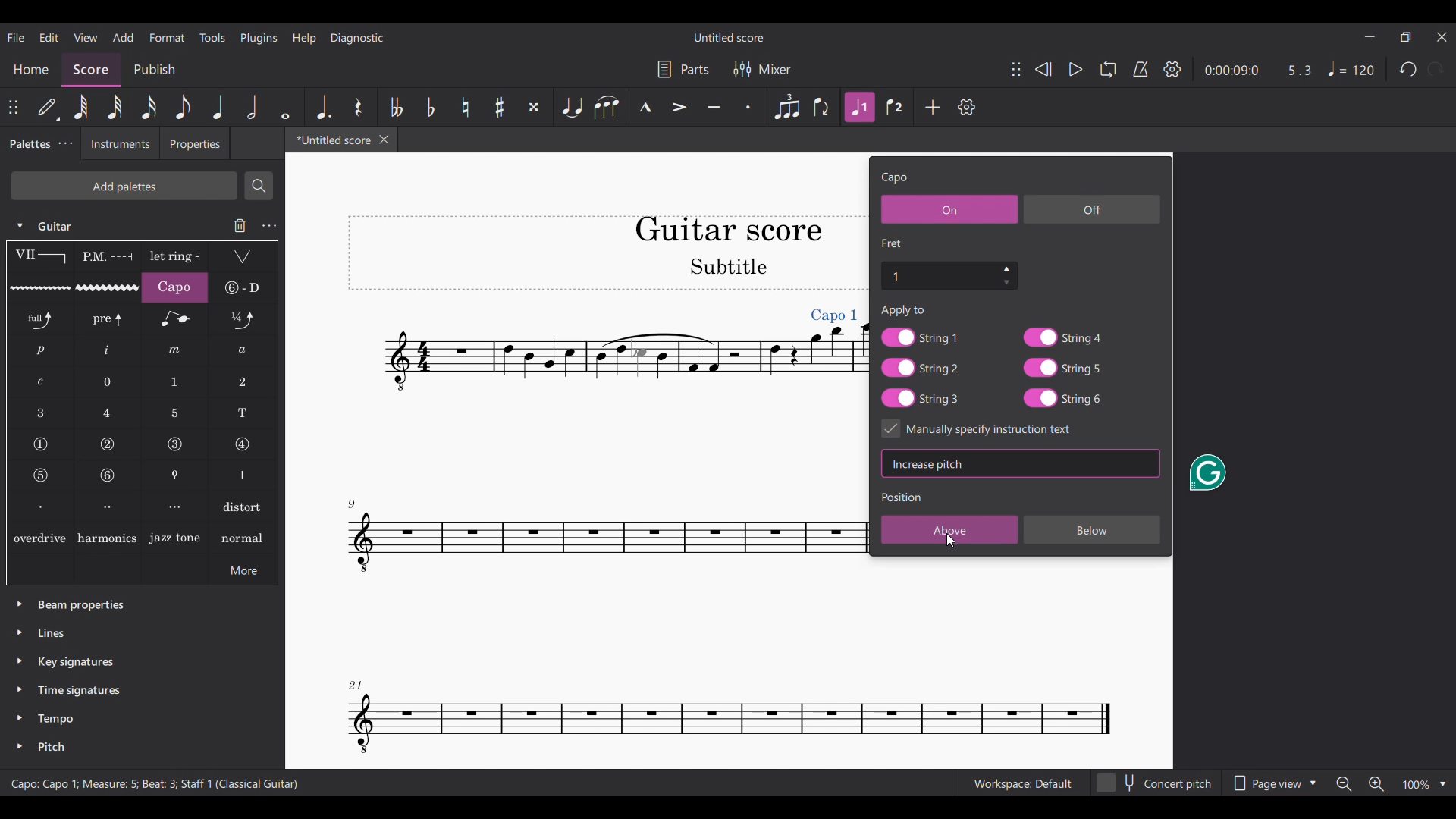 This screenshot has width=1456, height=819. Describe the element at coordinates (13, 107) in the screenshot. I see `Change position` at that location.